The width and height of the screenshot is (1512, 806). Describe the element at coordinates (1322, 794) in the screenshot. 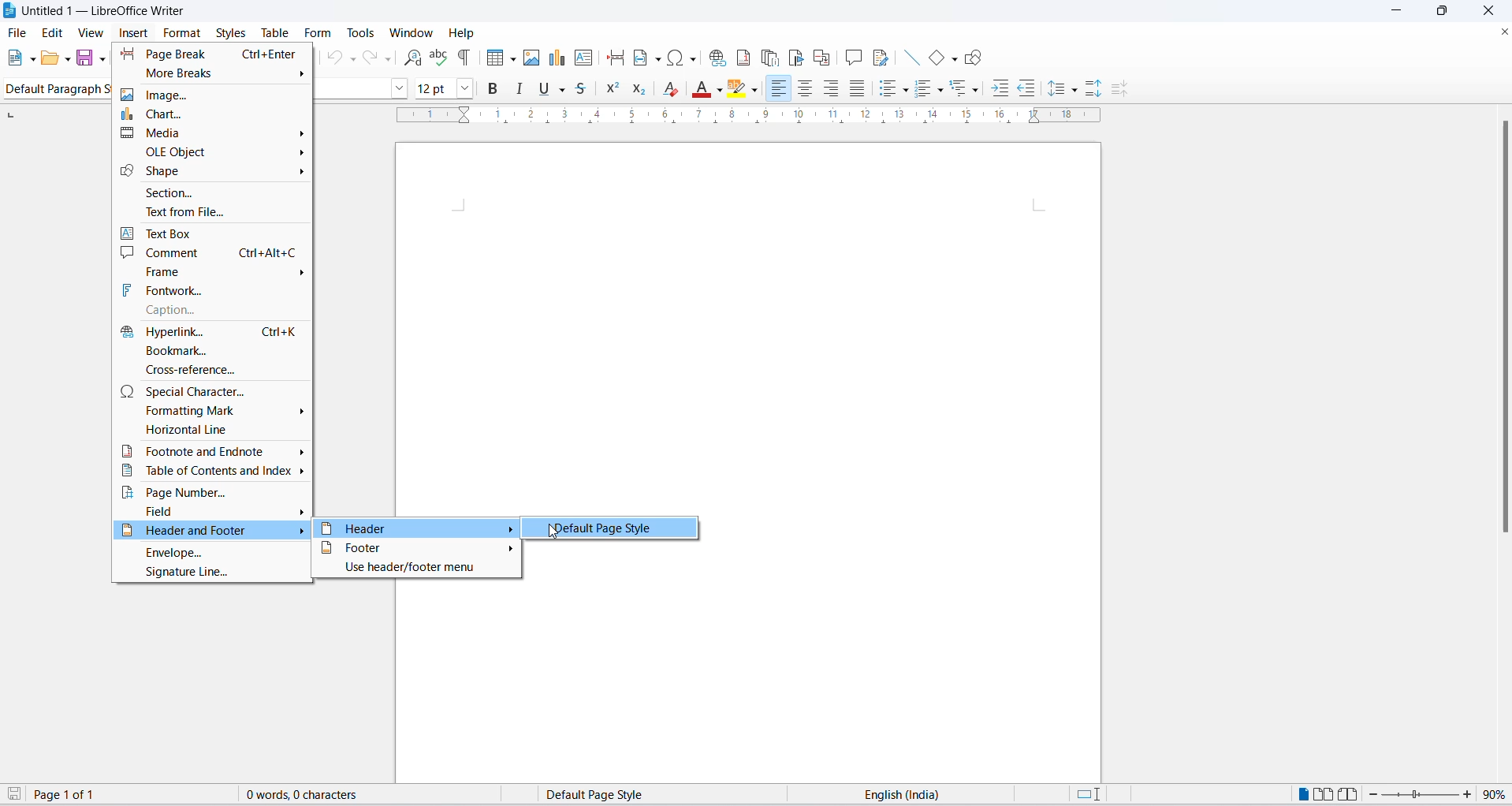

I see `multipage view` at that location.